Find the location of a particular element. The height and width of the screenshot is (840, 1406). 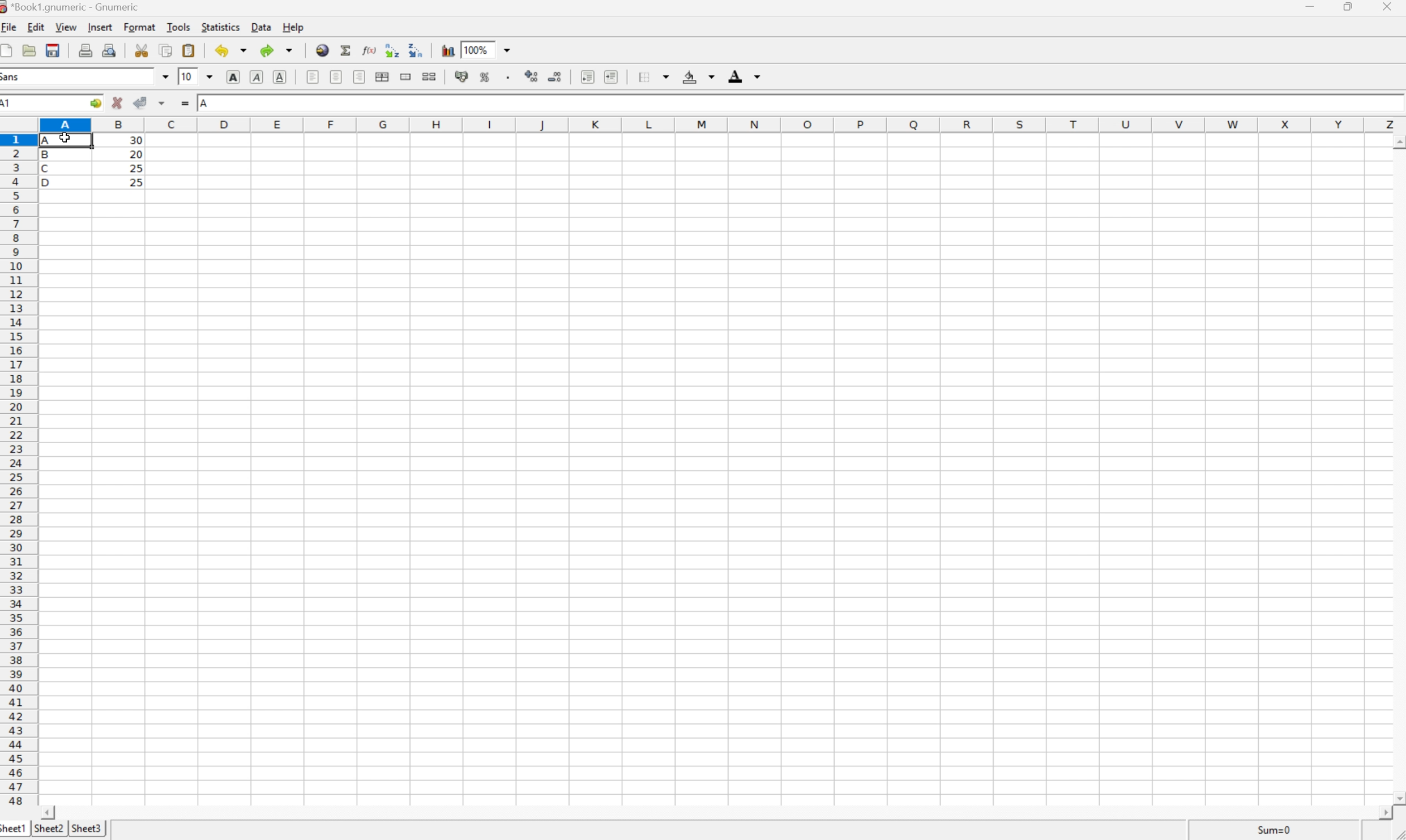

Scroll Left is located at coordinates (50, 812).